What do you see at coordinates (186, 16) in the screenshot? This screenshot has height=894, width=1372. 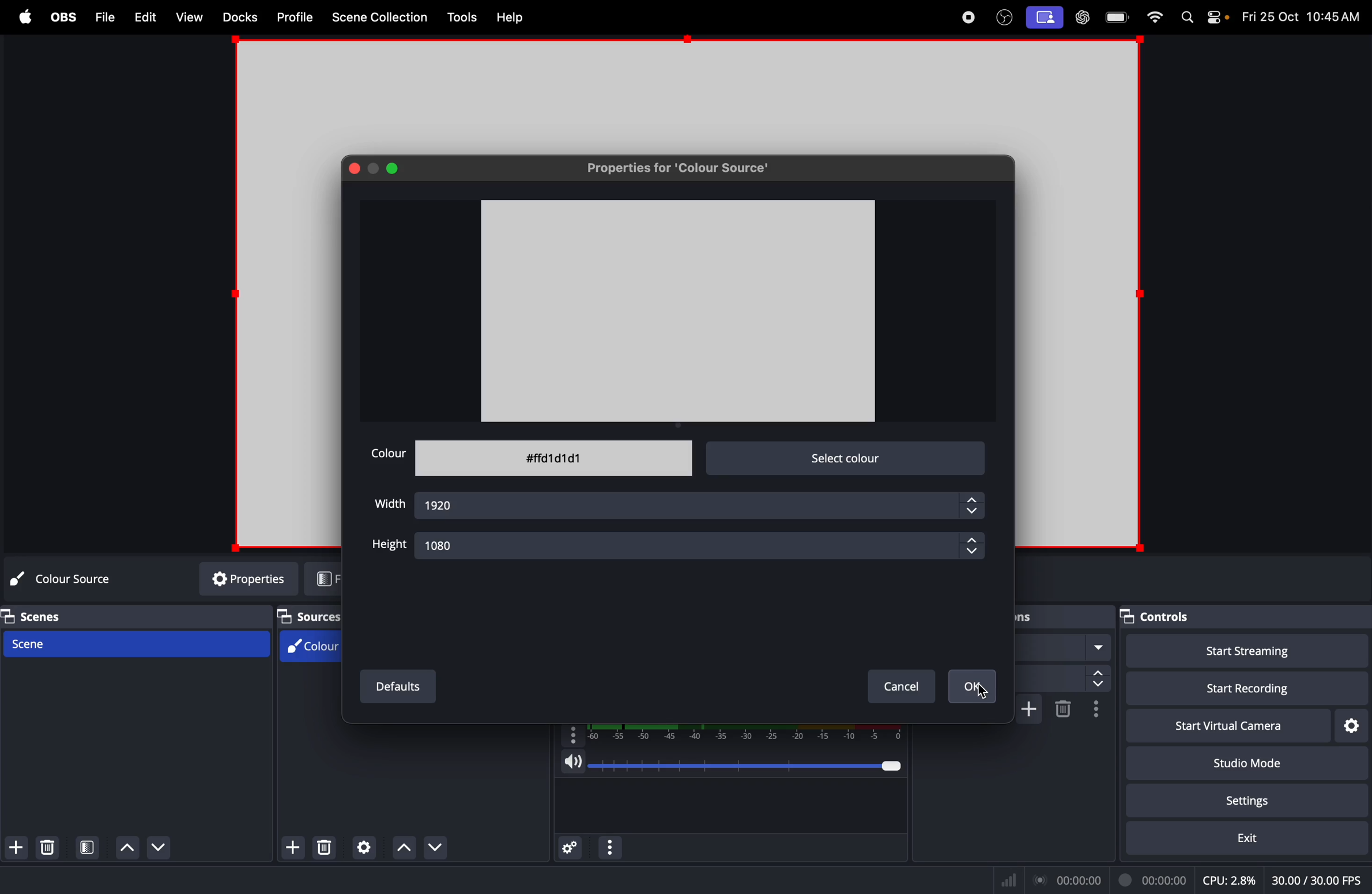 I see `view` at bounding box center [186, 16].